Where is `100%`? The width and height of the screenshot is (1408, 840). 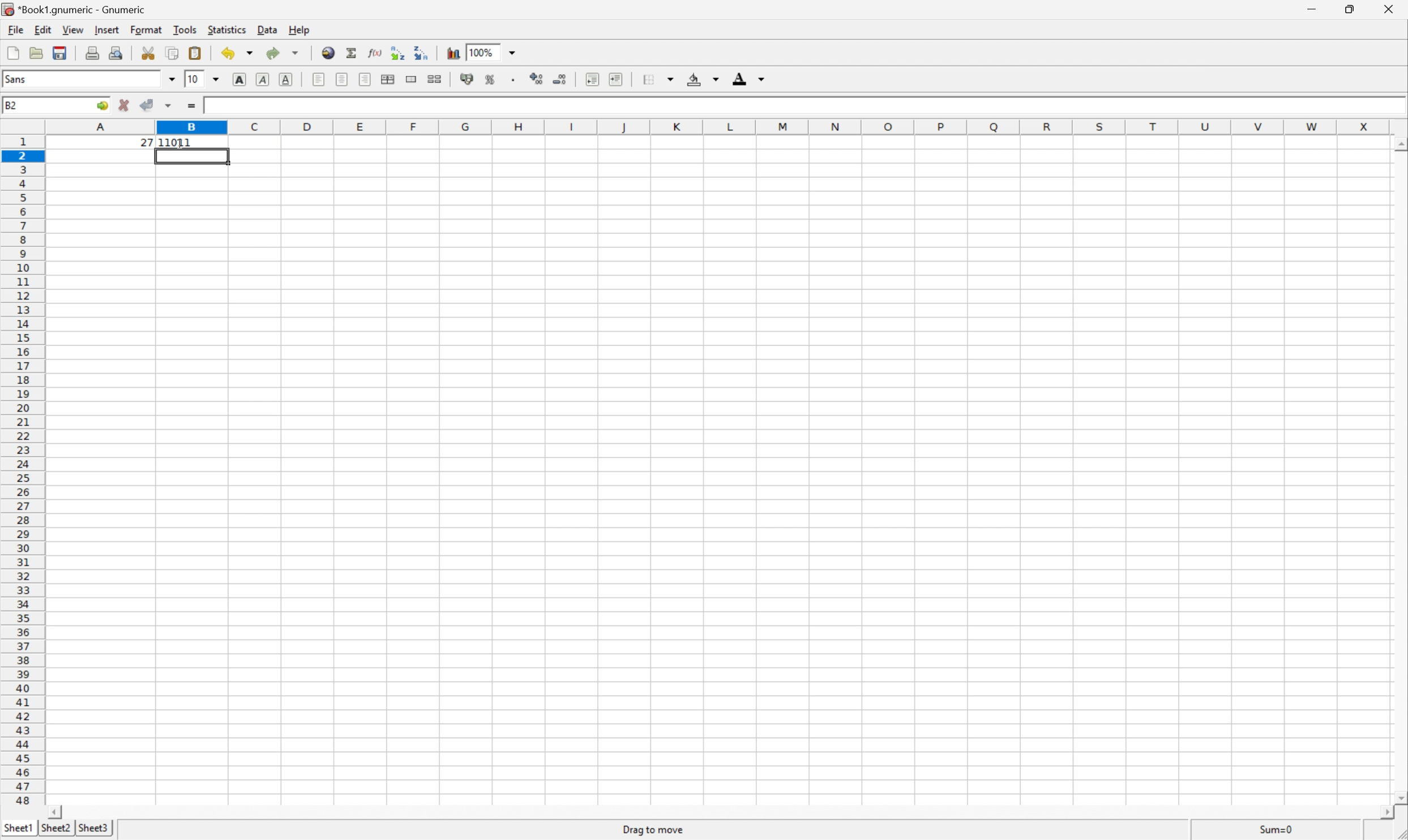
100% is located at coordinates (485, 52).